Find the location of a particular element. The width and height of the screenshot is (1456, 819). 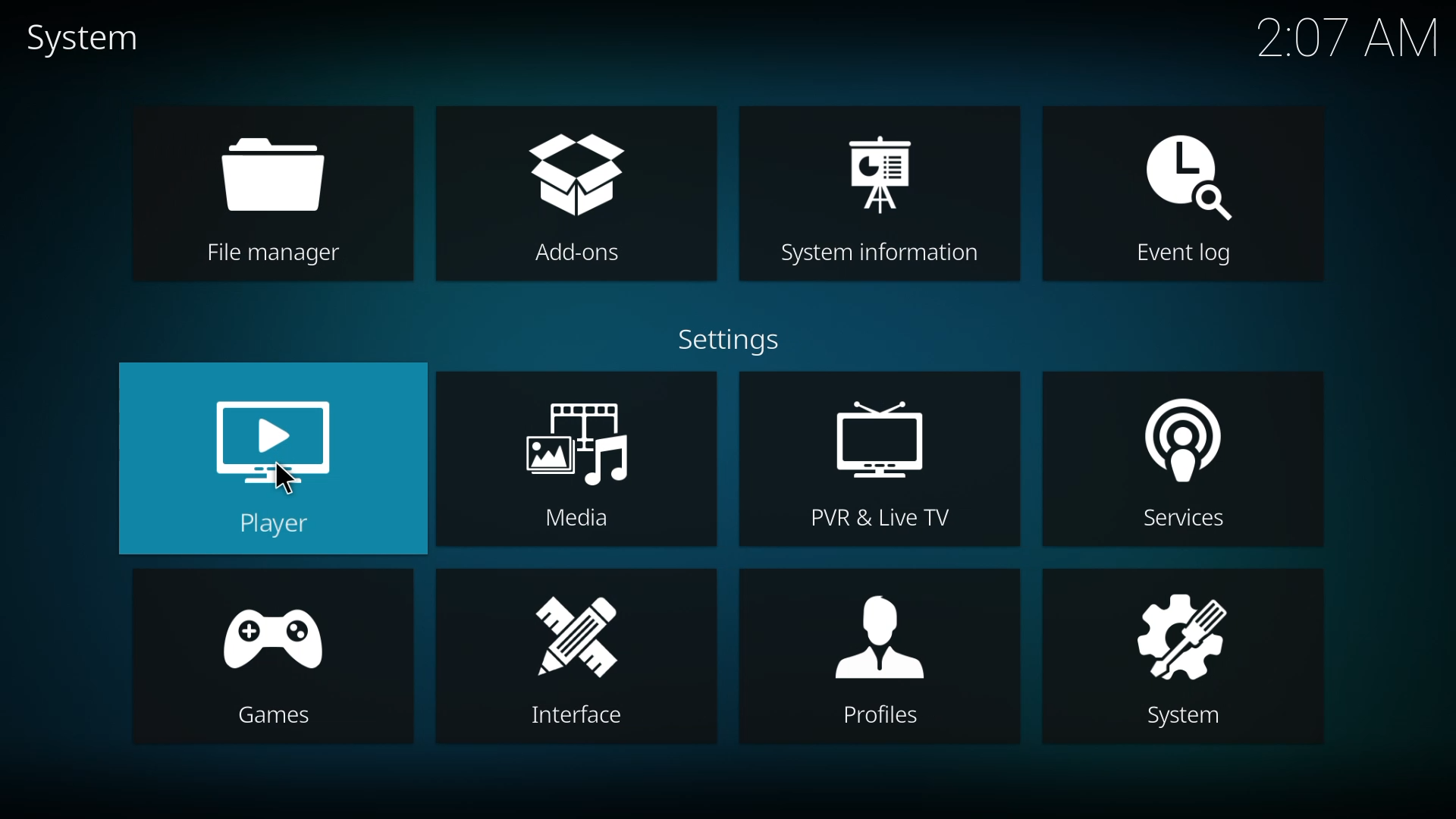

profiles is located at coordinates (884, 655).